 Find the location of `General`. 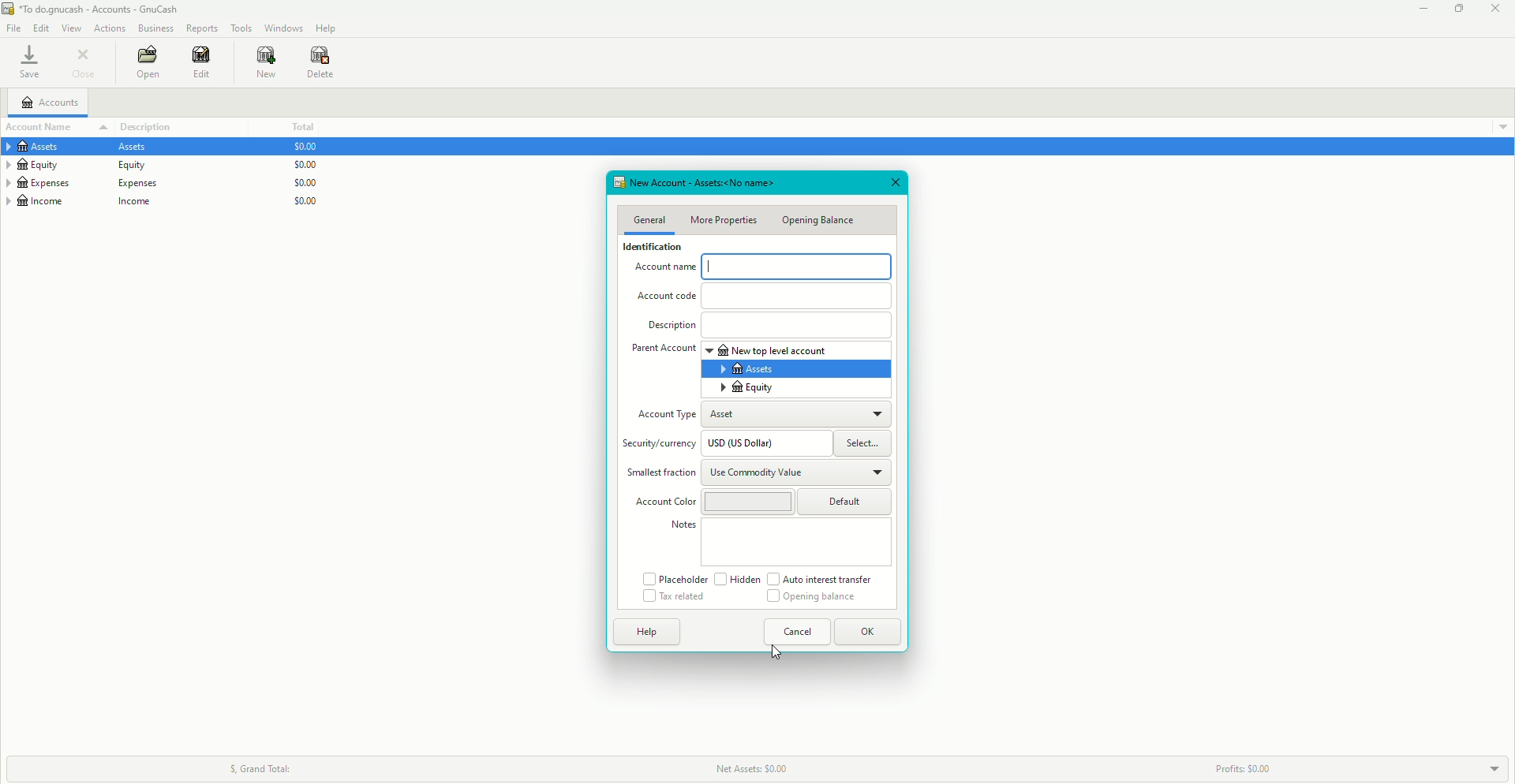

General is located at coordinates (649, 219).